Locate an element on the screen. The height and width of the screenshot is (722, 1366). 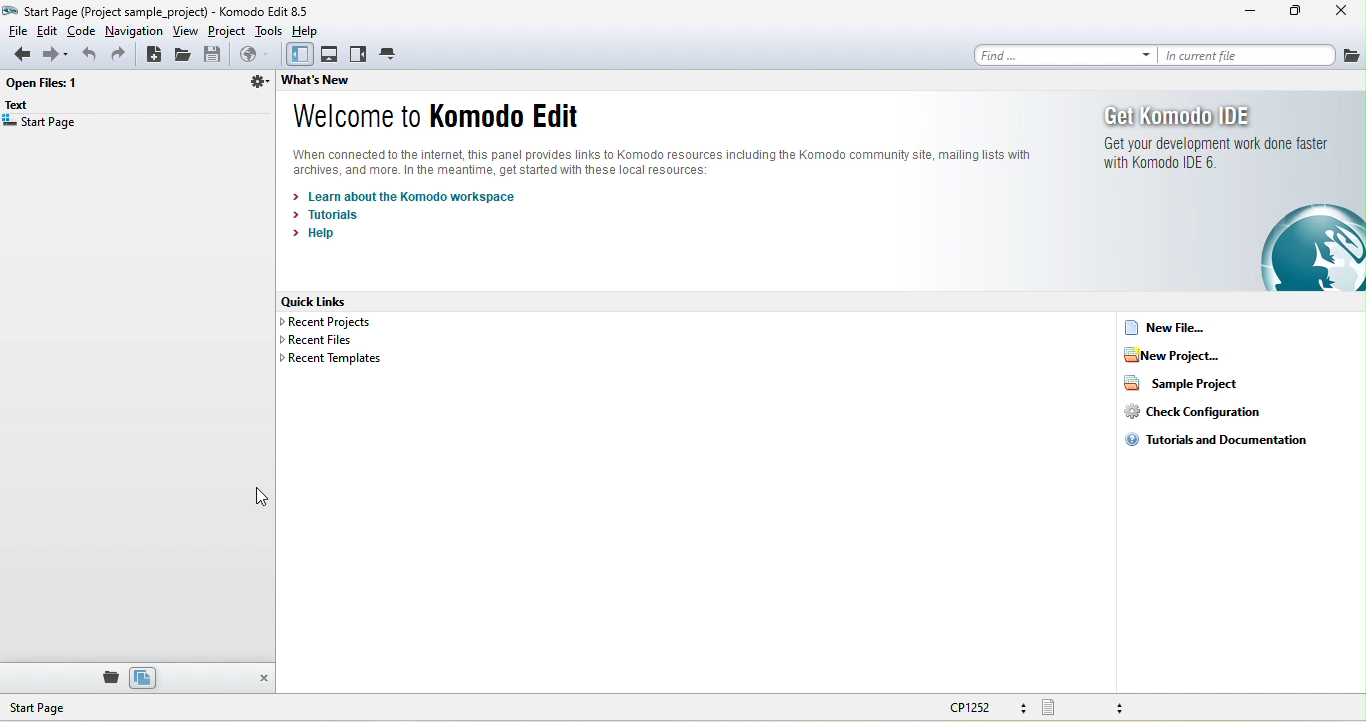
quick lines is located at coordinates (328, 302).